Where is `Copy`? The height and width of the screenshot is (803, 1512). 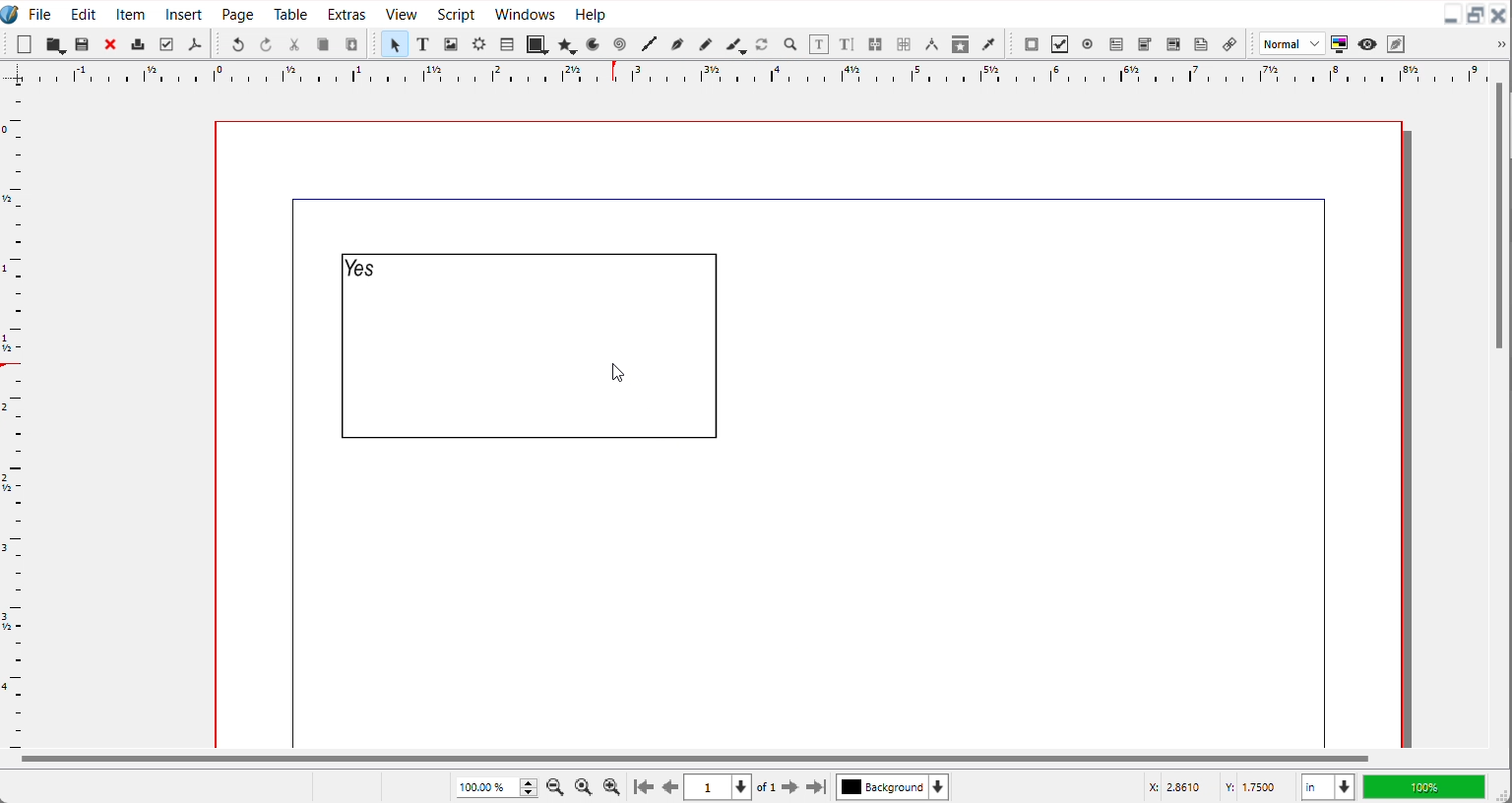 Copy is located at coordinates (323, 44).